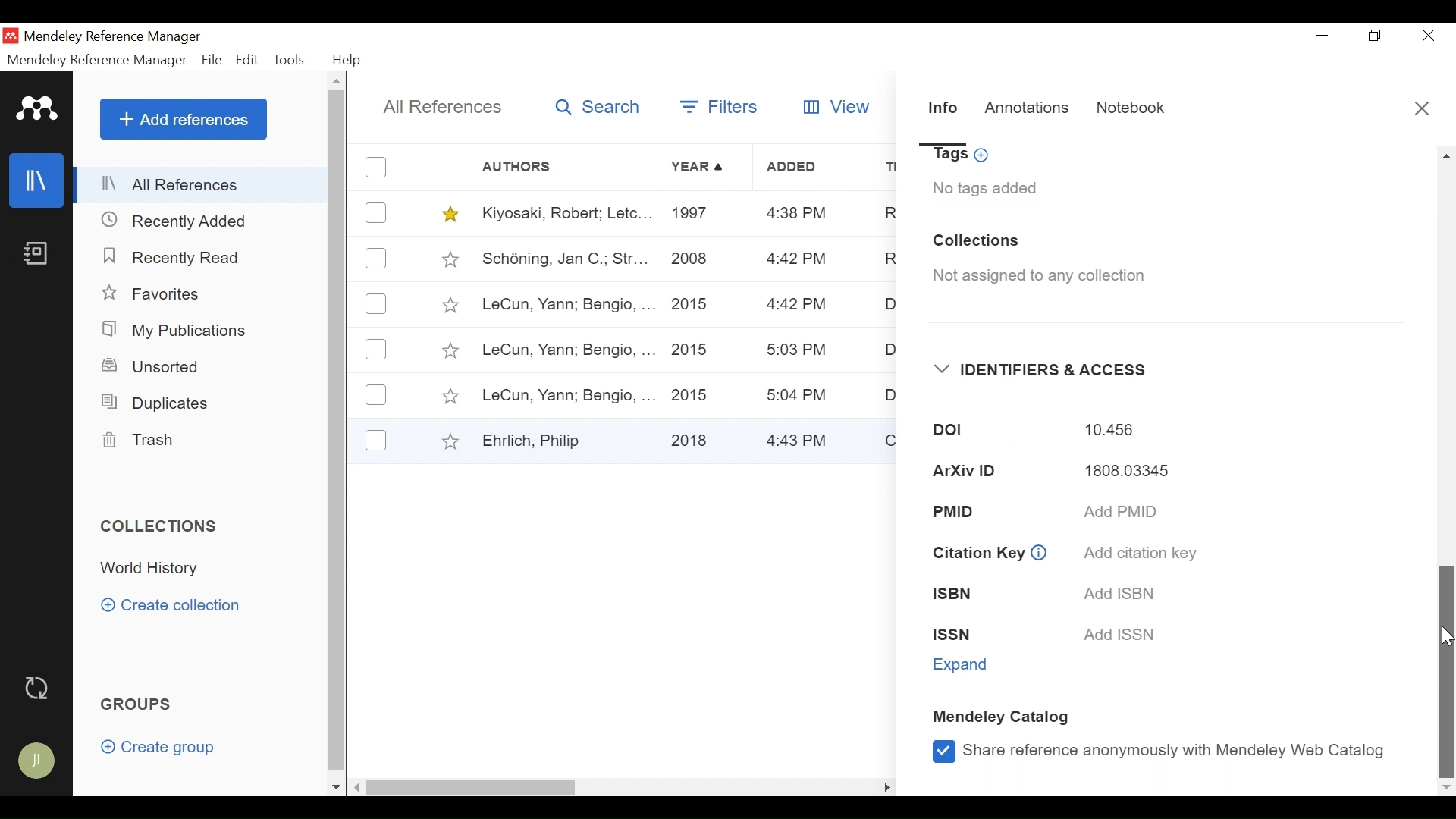 This screenshot has height=819, width=1456. Describe the element at coordinates (1323, 36) in the screenshot. I see `minimize` at that location.